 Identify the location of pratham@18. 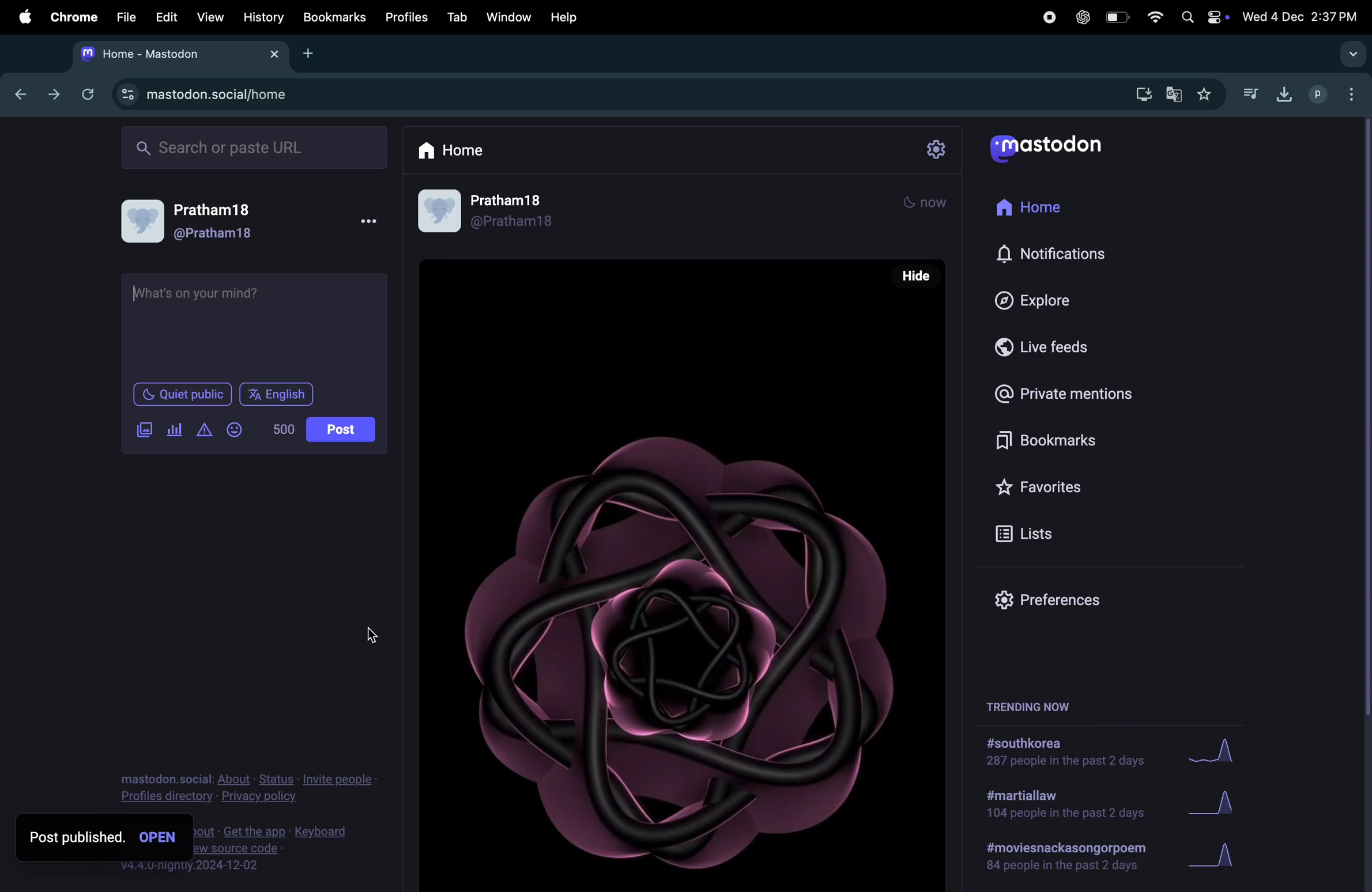
(198, 225).